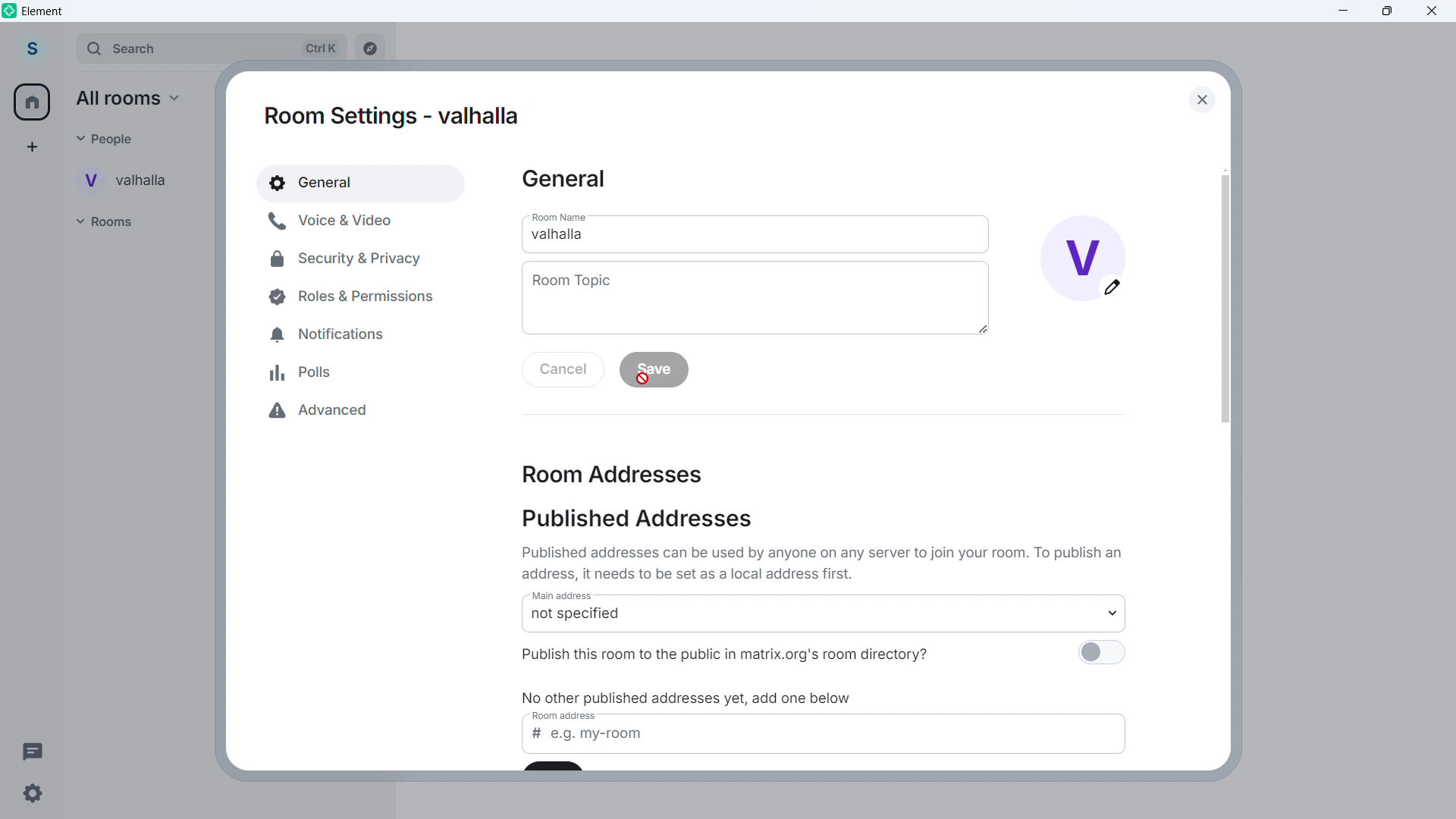 The image size is (1456, 819). What do you see at coordinates (563, 180) in the screenshot?
I see `General ` at bounding box center [563, 180].